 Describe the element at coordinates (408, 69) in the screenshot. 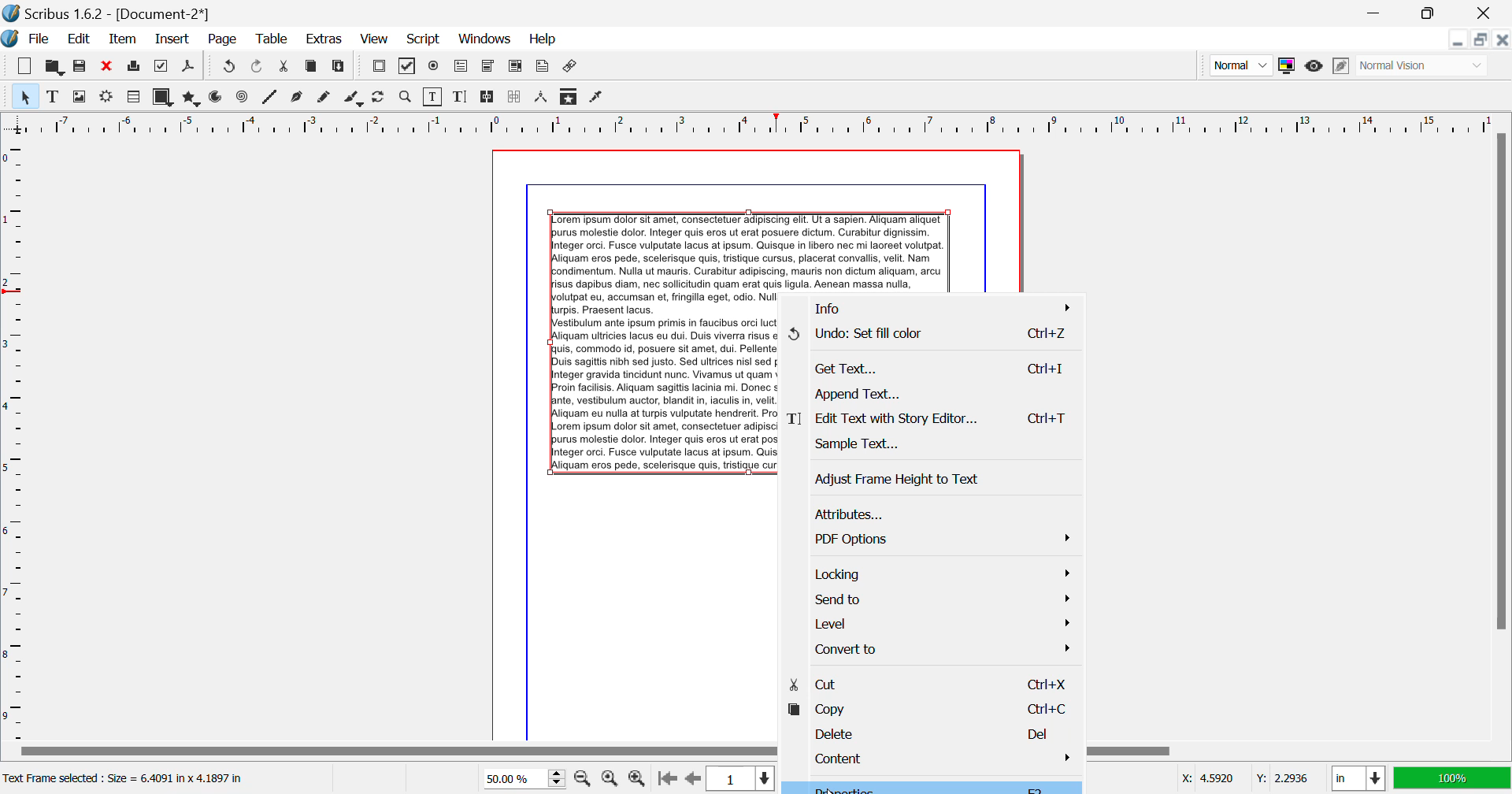

I see `Pdf Checkbox` at that location.